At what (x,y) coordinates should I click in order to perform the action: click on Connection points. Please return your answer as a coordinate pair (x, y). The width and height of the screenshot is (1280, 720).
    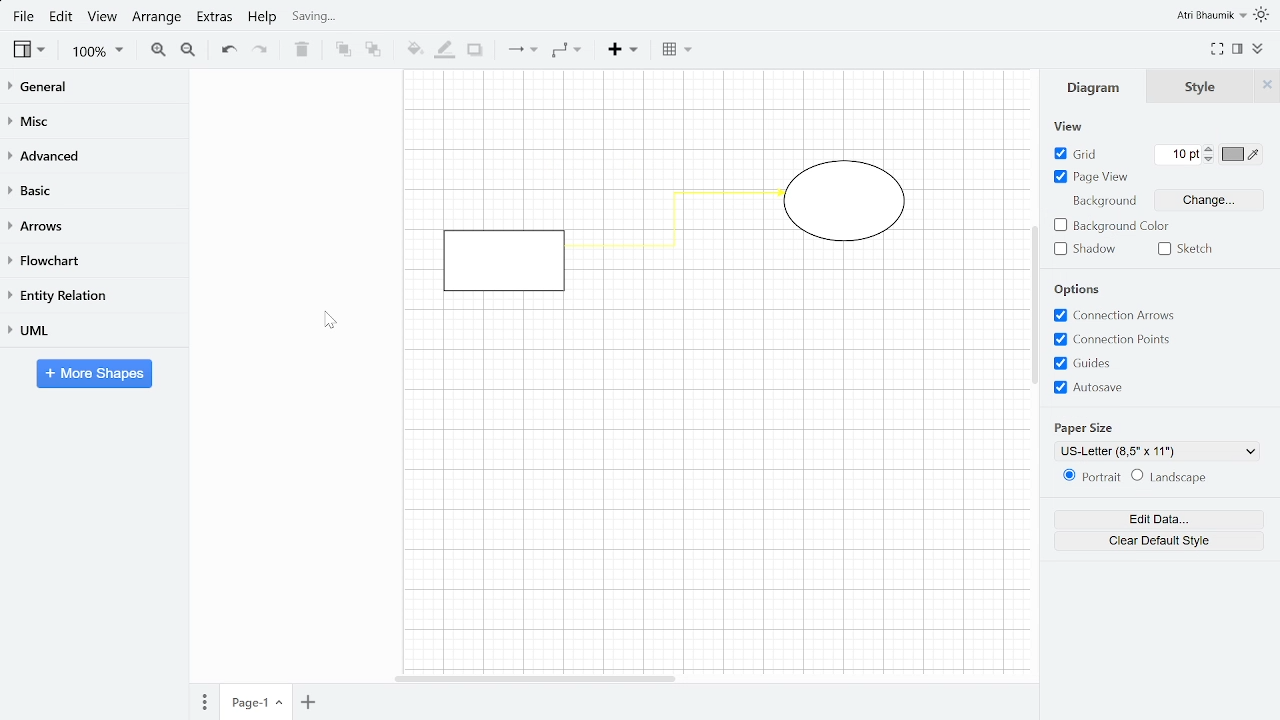
    Looking at the image, I should click on (1116, 340).